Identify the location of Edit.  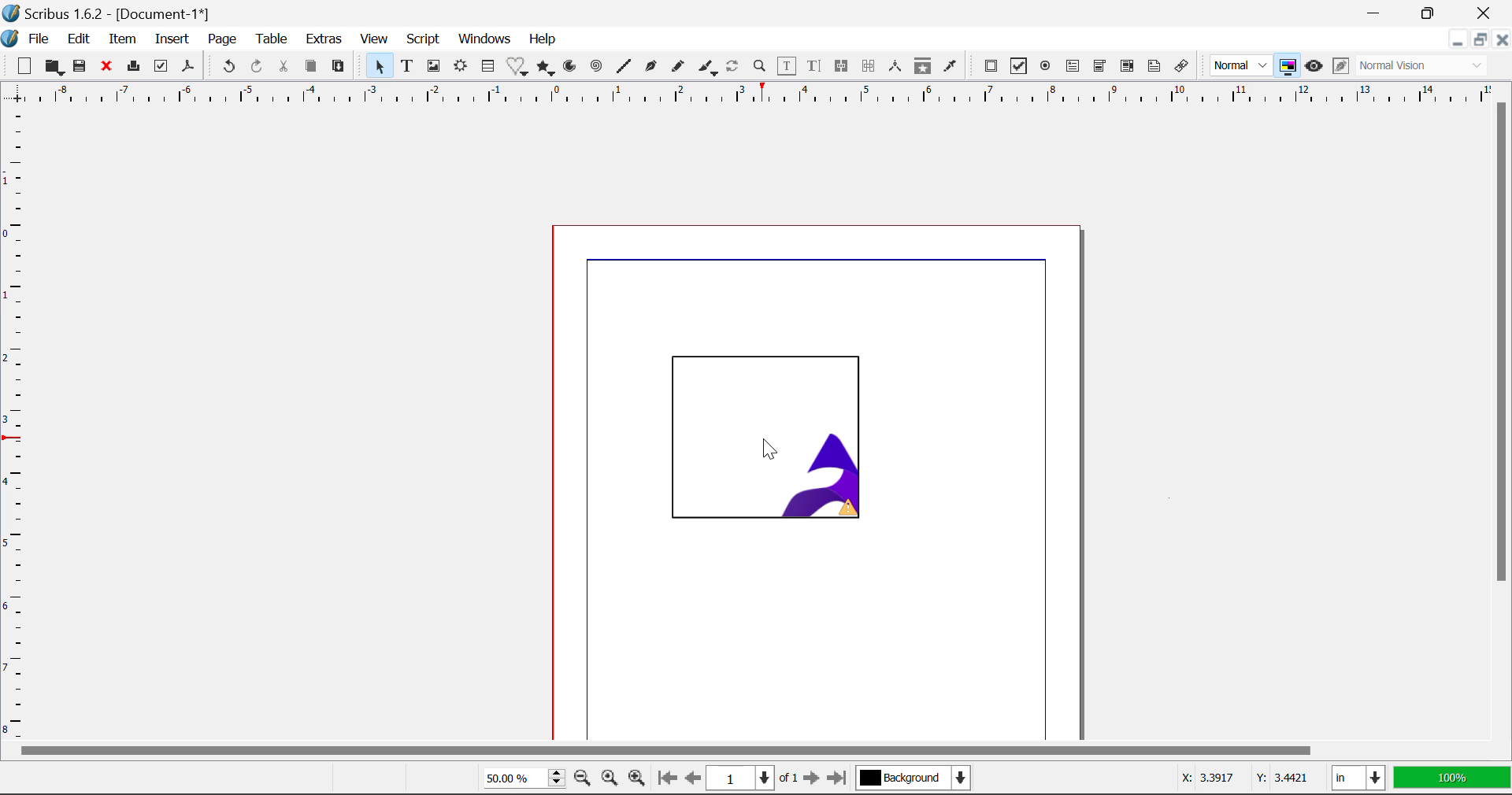
(80, 39).